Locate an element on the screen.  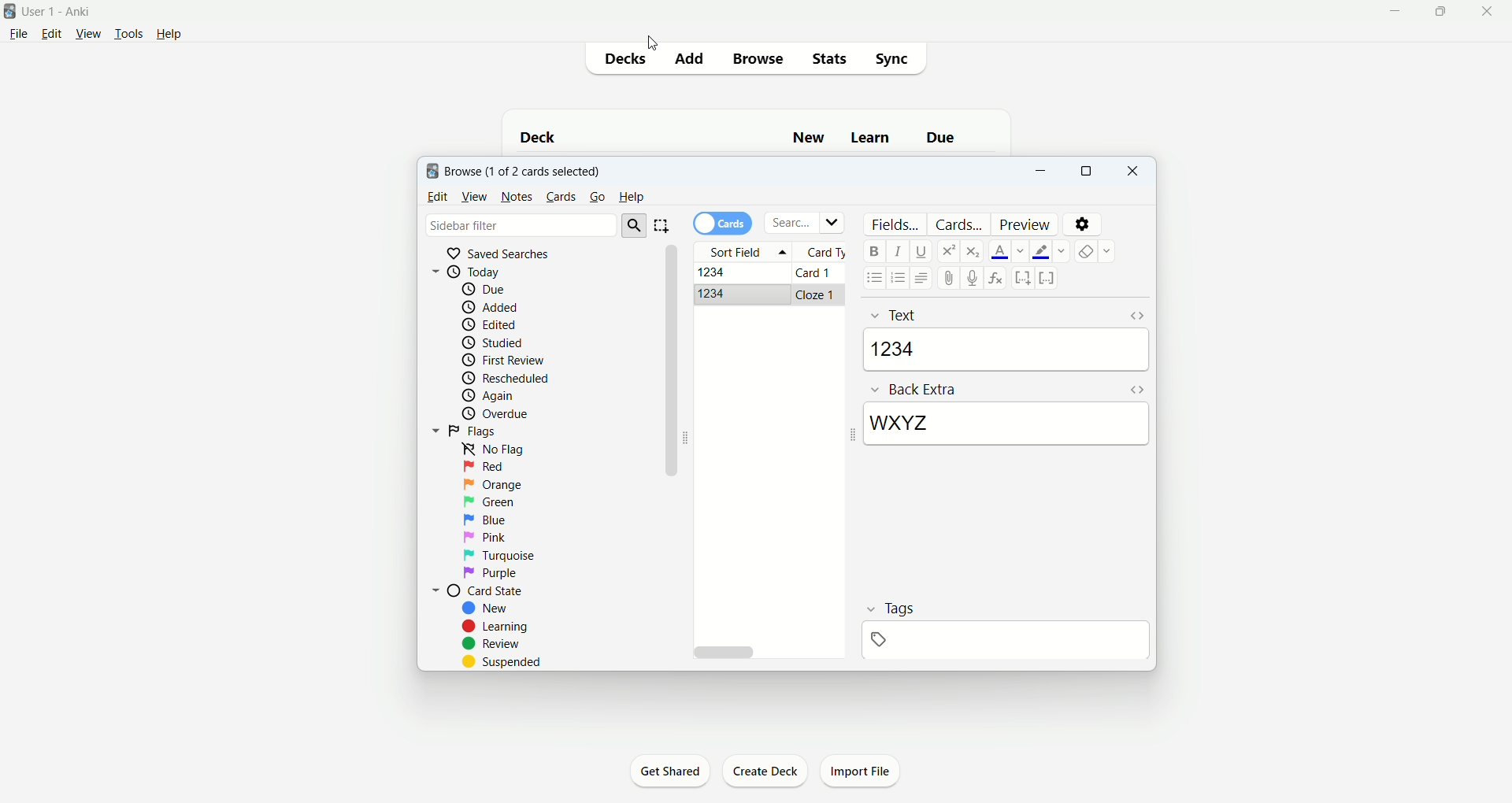
overdue is located at coordinates (498, 413).